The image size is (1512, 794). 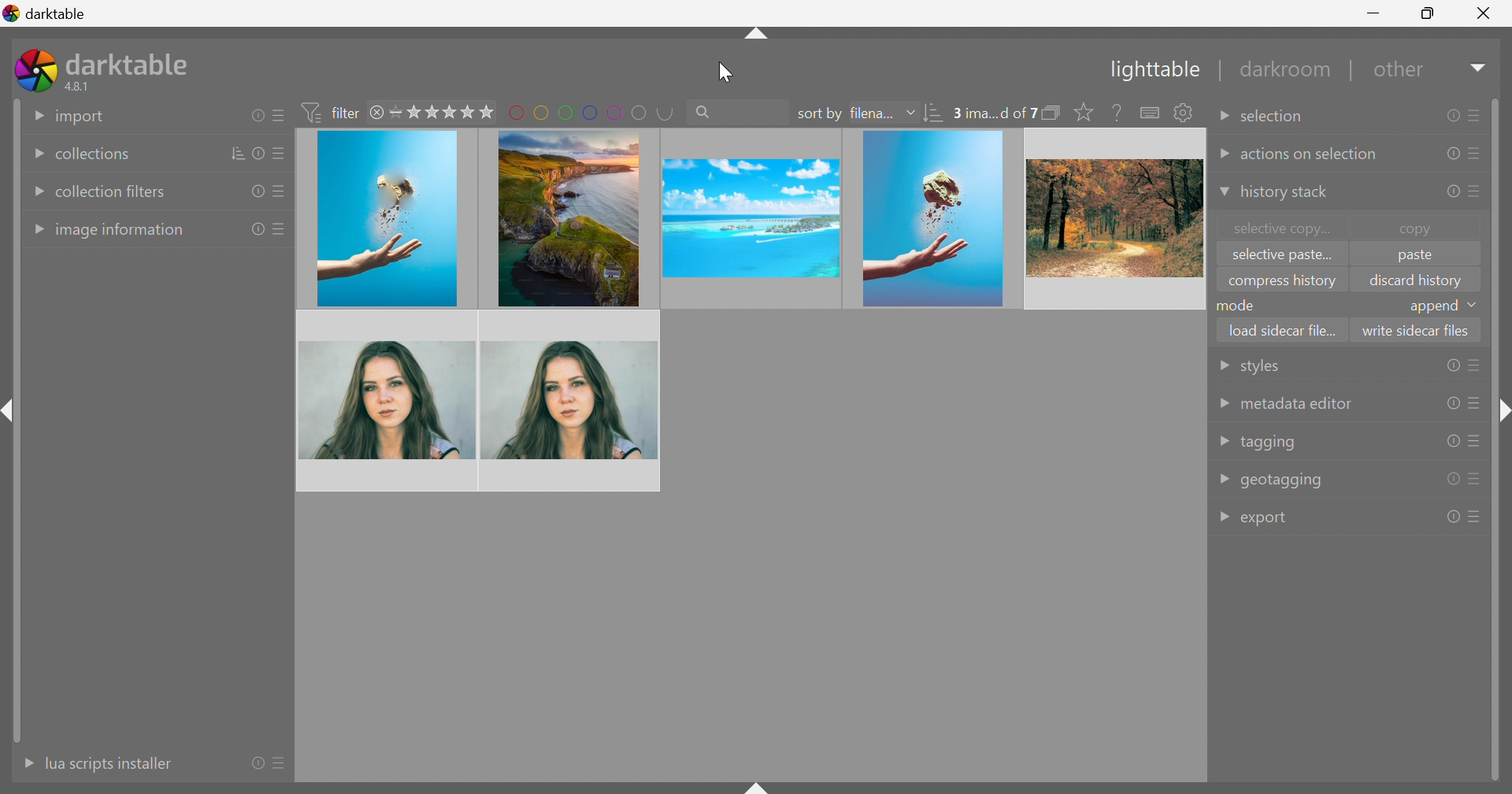 What do you see at coordinates (819, 114) in the screenshot?
I see `sort by` at bounding box center [819, 114].